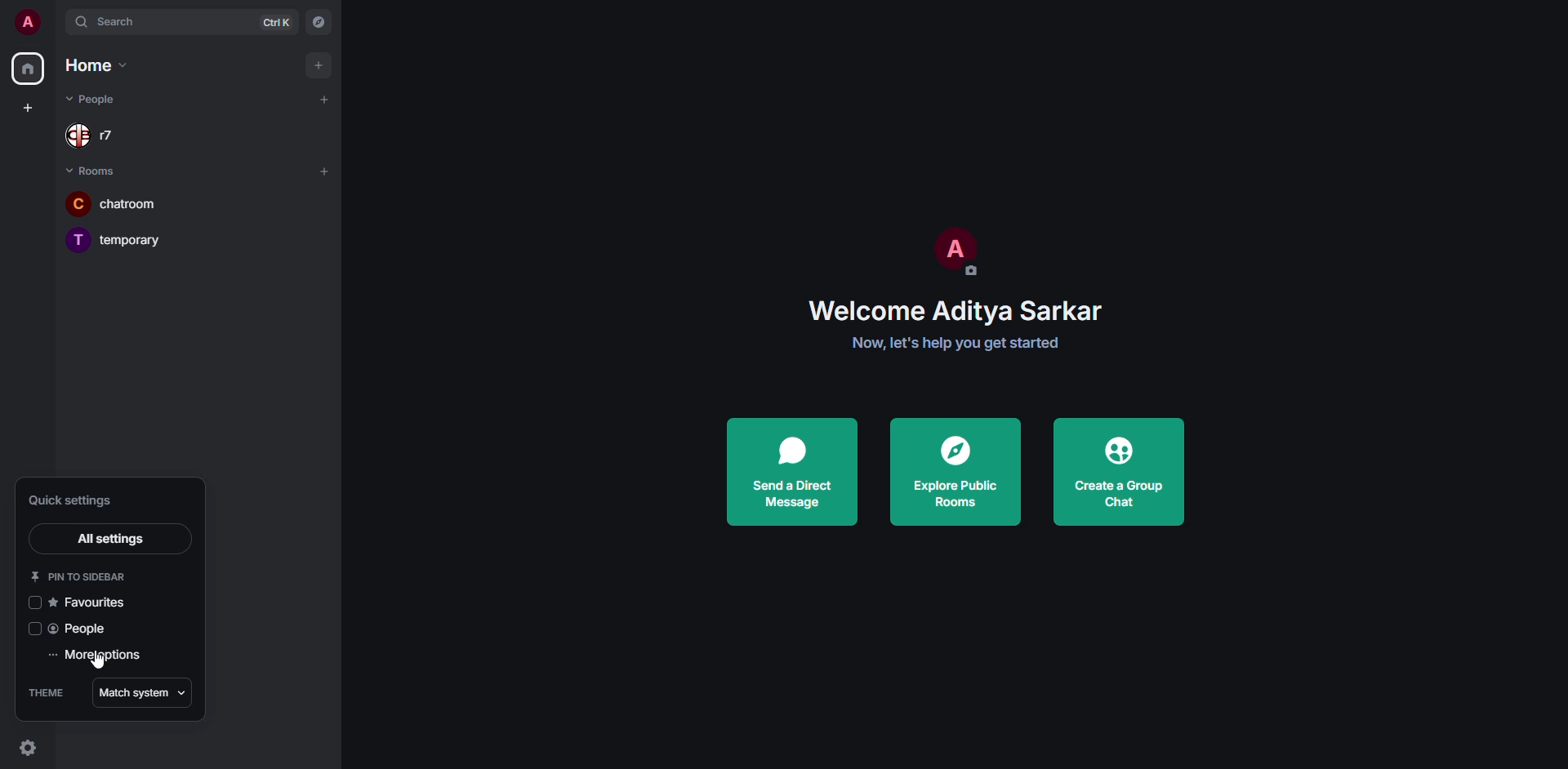 This screenshot has width=1568, height=769. What do you see at coordinates (99, 171) in the screenshot?
I see `rooms` at bounding box center [99, 171].